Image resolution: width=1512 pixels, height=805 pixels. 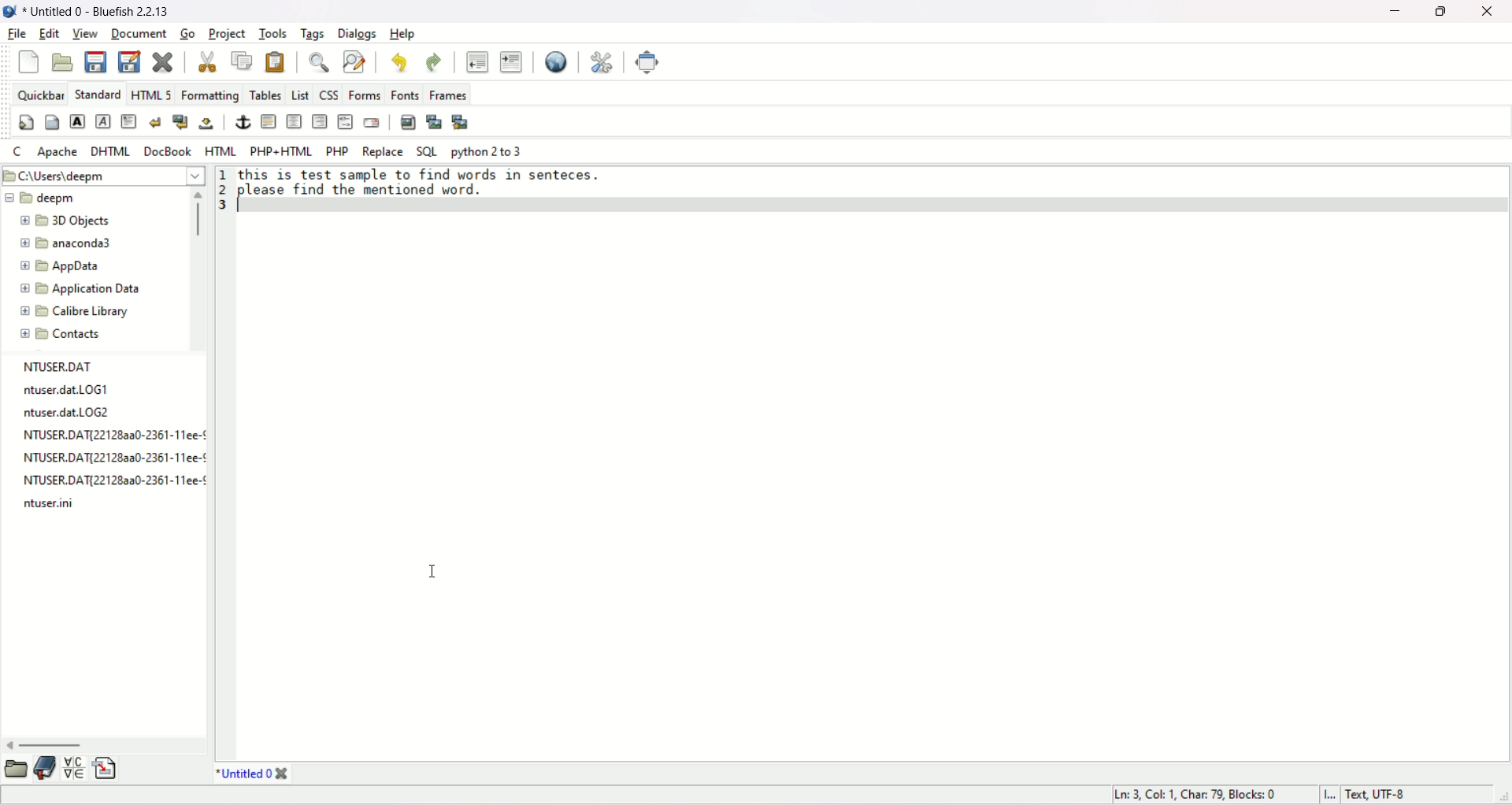 What do you see at coordinates (180, 123) in the screenshot?
I see `break and clear` at bounding box center [180, 123].